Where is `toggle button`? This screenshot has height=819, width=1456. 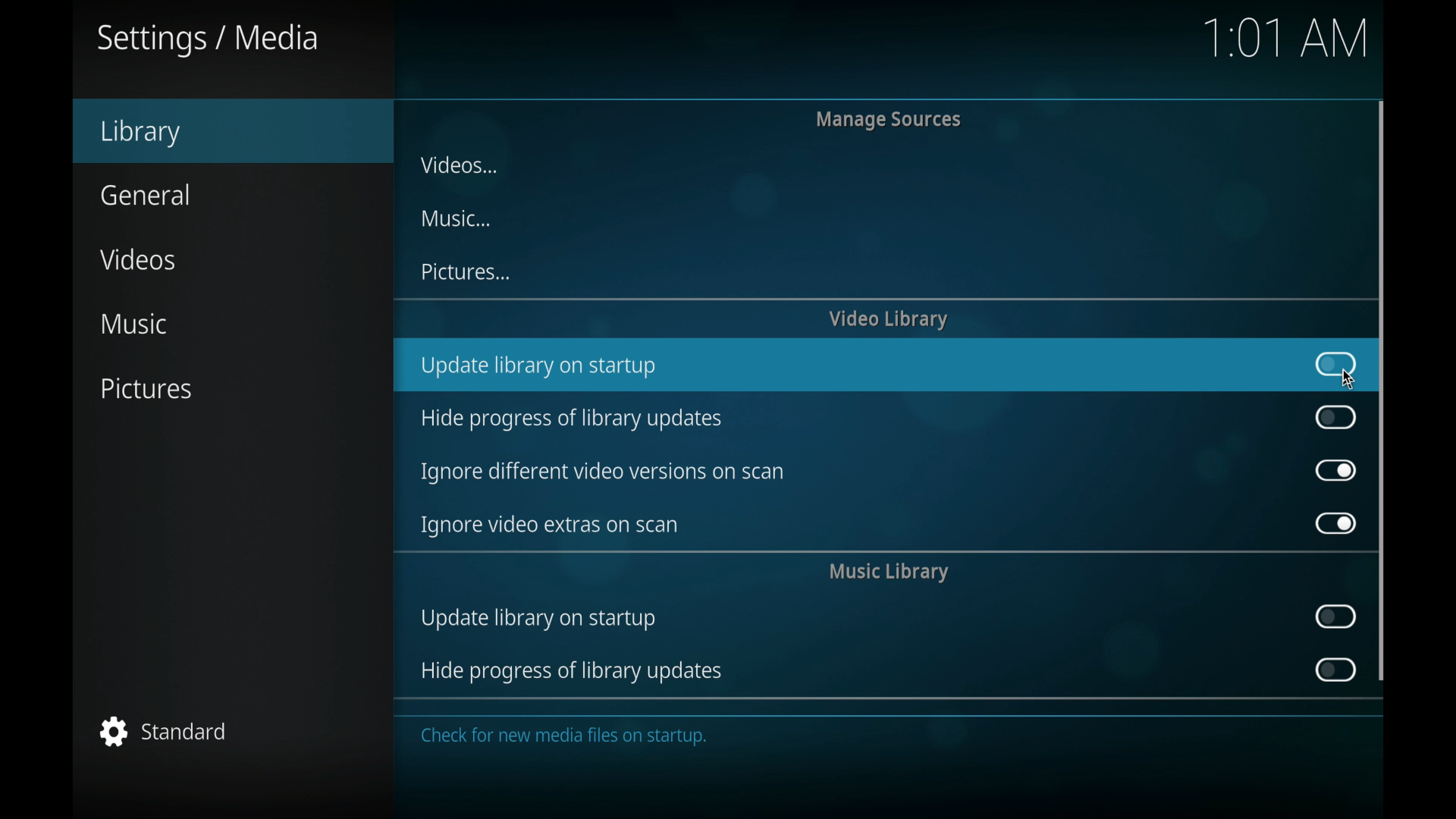 toggle button is located at coordinates (1336, 469).